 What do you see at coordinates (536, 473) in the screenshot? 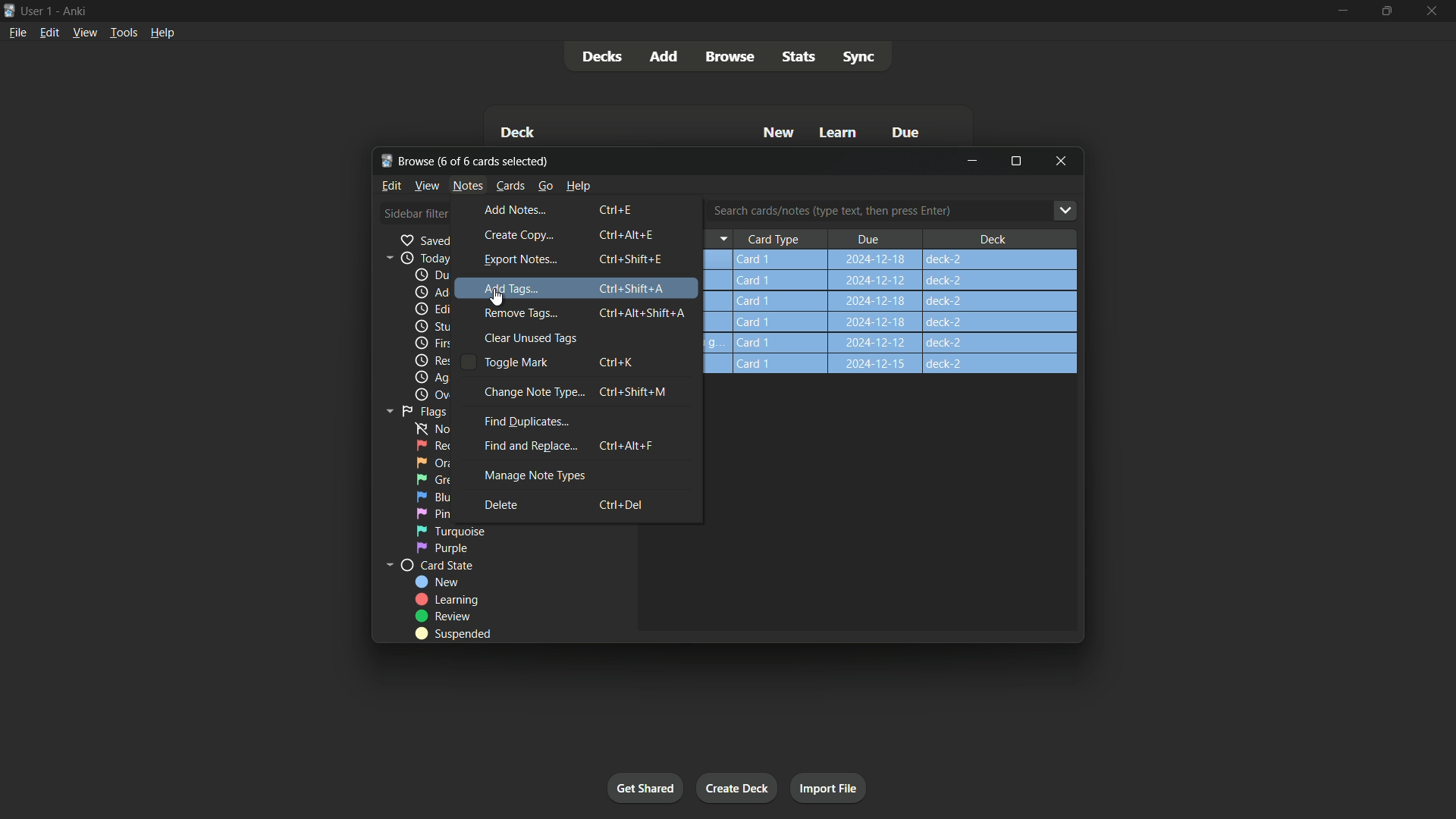
I see `manage note types` at bounding box center [536, 473].